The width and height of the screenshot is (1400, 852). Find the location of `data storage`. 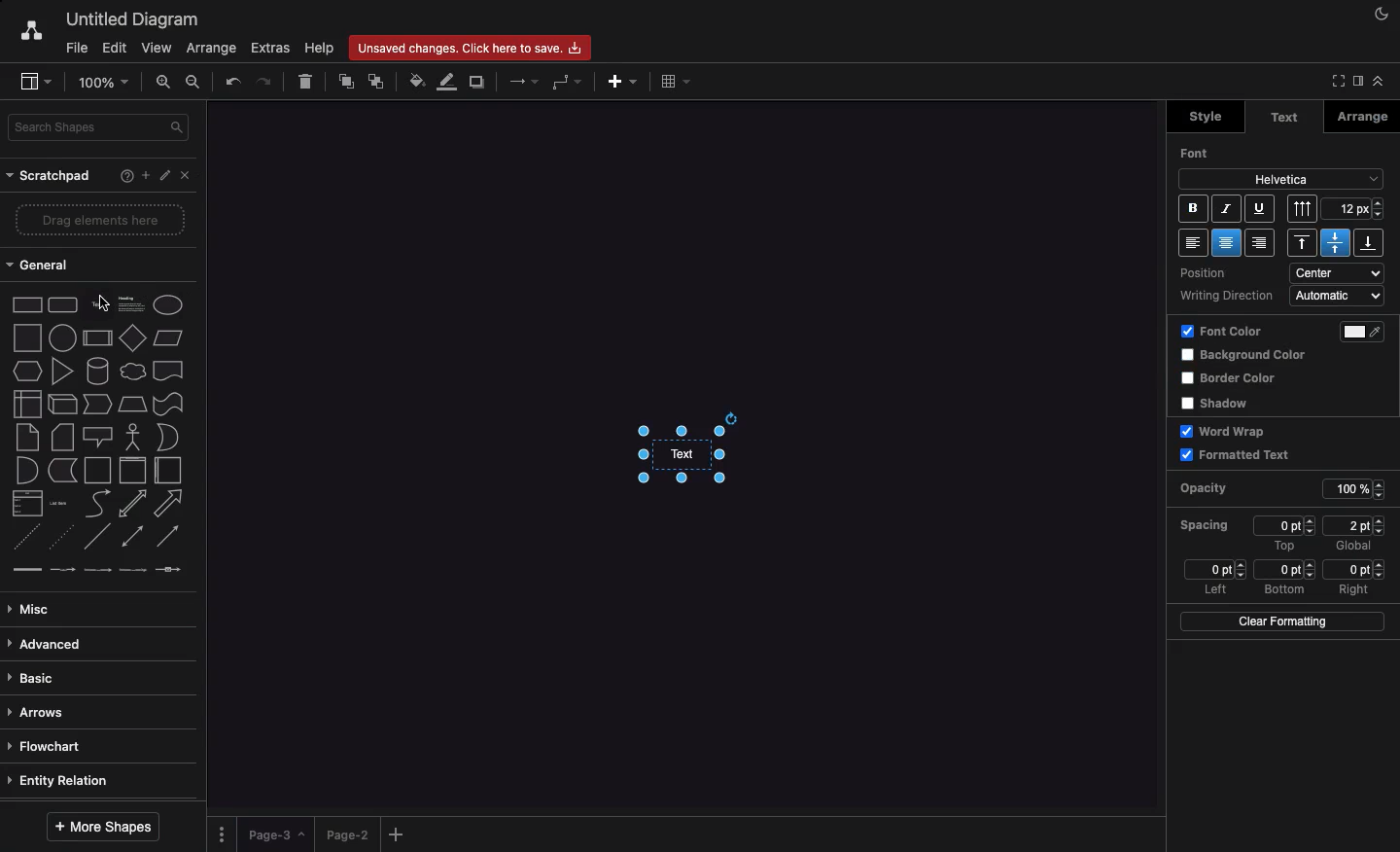

data storage is located at coordinates (63, 471).